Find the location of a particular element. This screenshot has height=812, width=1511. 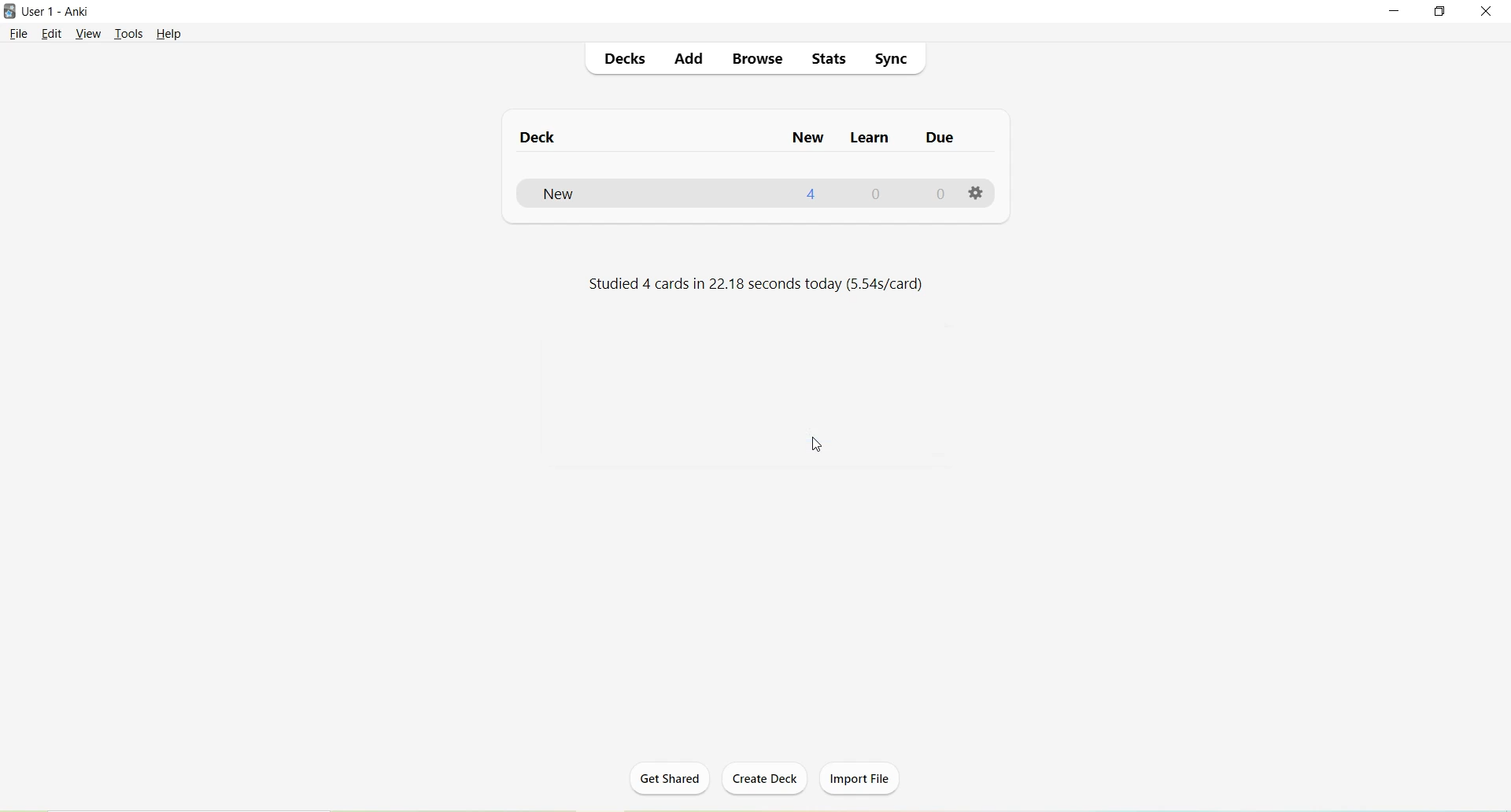

Browse is located at coordinates (759, 61).